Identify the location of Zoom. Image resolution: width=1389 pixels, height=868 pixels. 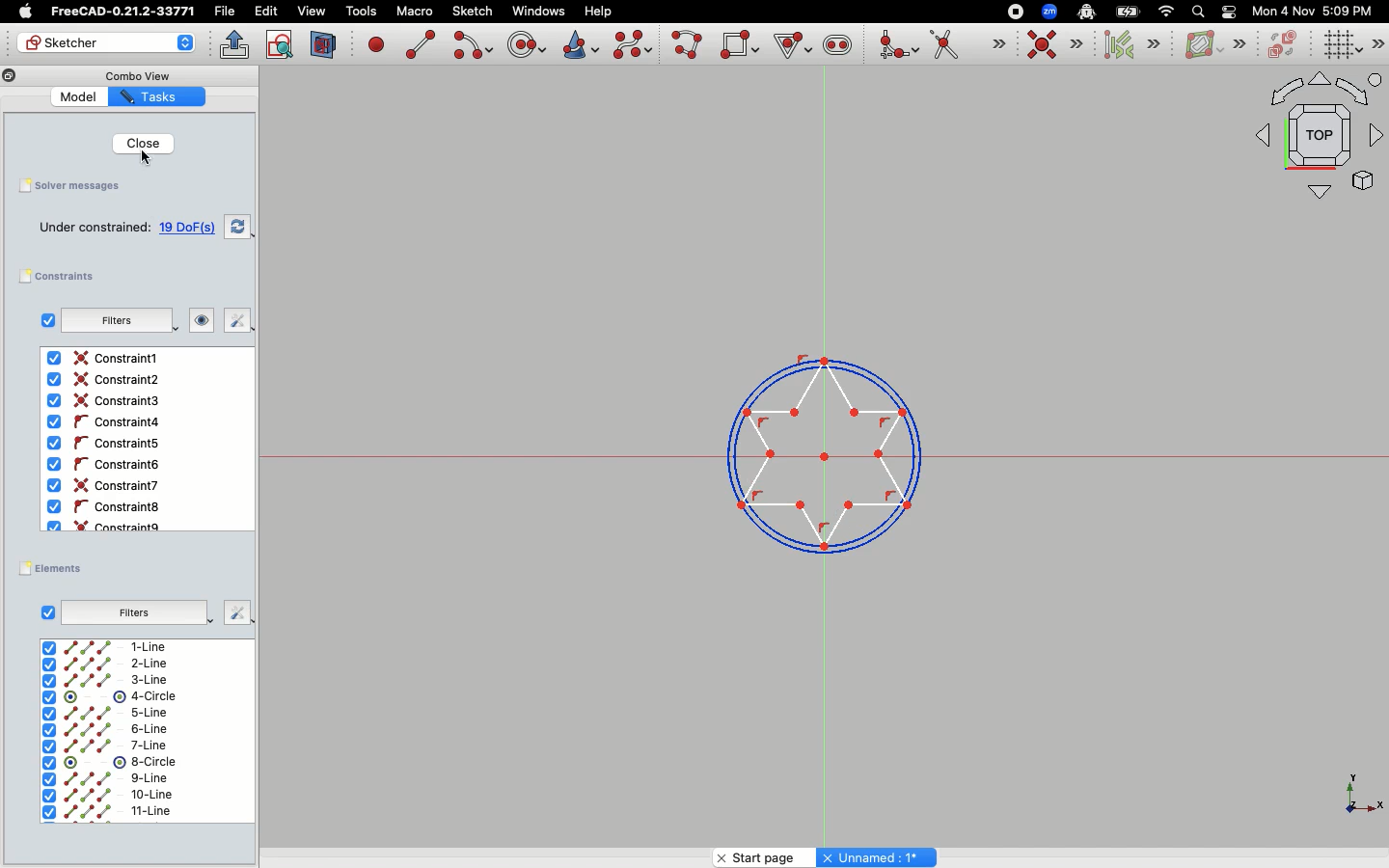
(1050, 12).